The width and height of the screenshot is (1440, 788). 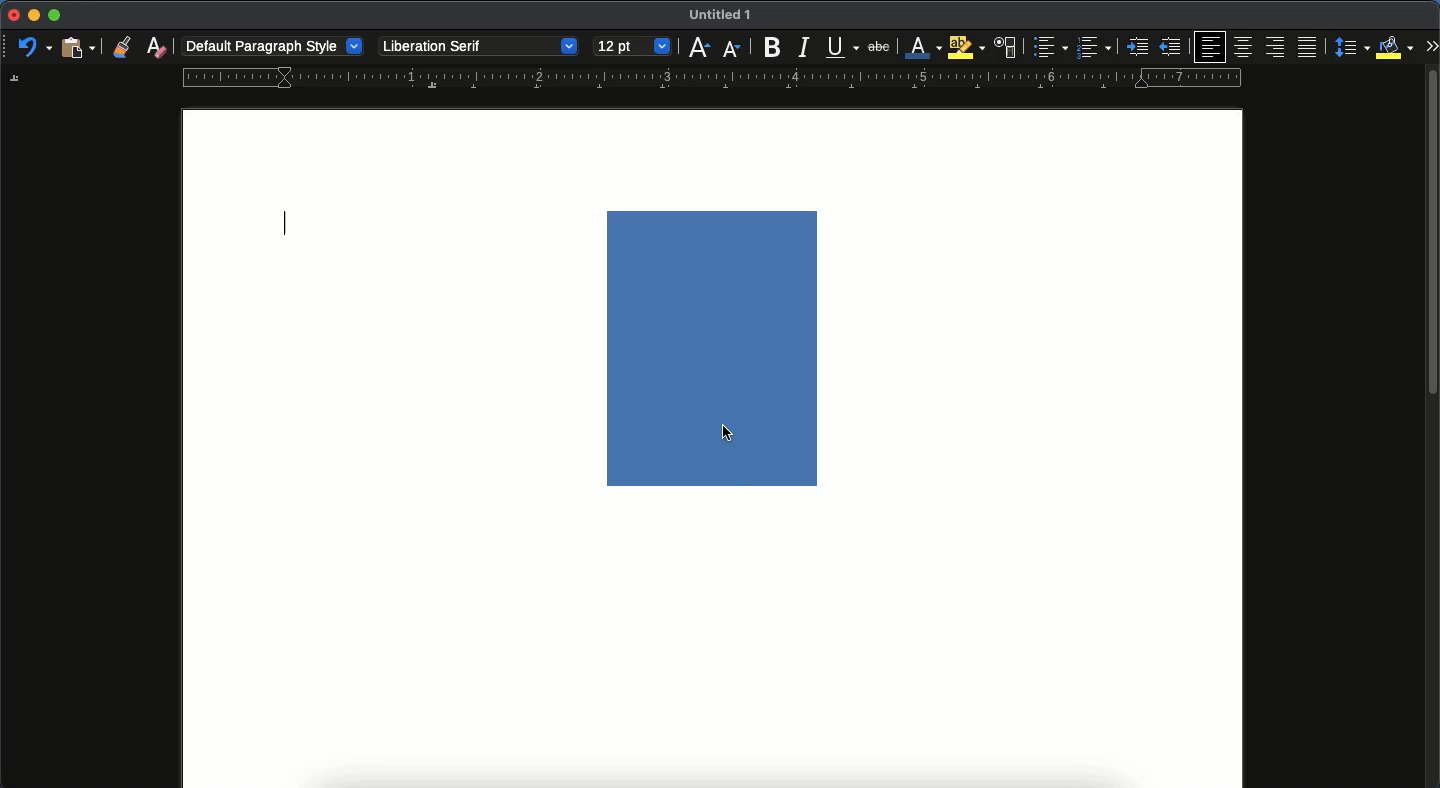 I want to click on Untiled 1 - name, so click(x=723, y=14).